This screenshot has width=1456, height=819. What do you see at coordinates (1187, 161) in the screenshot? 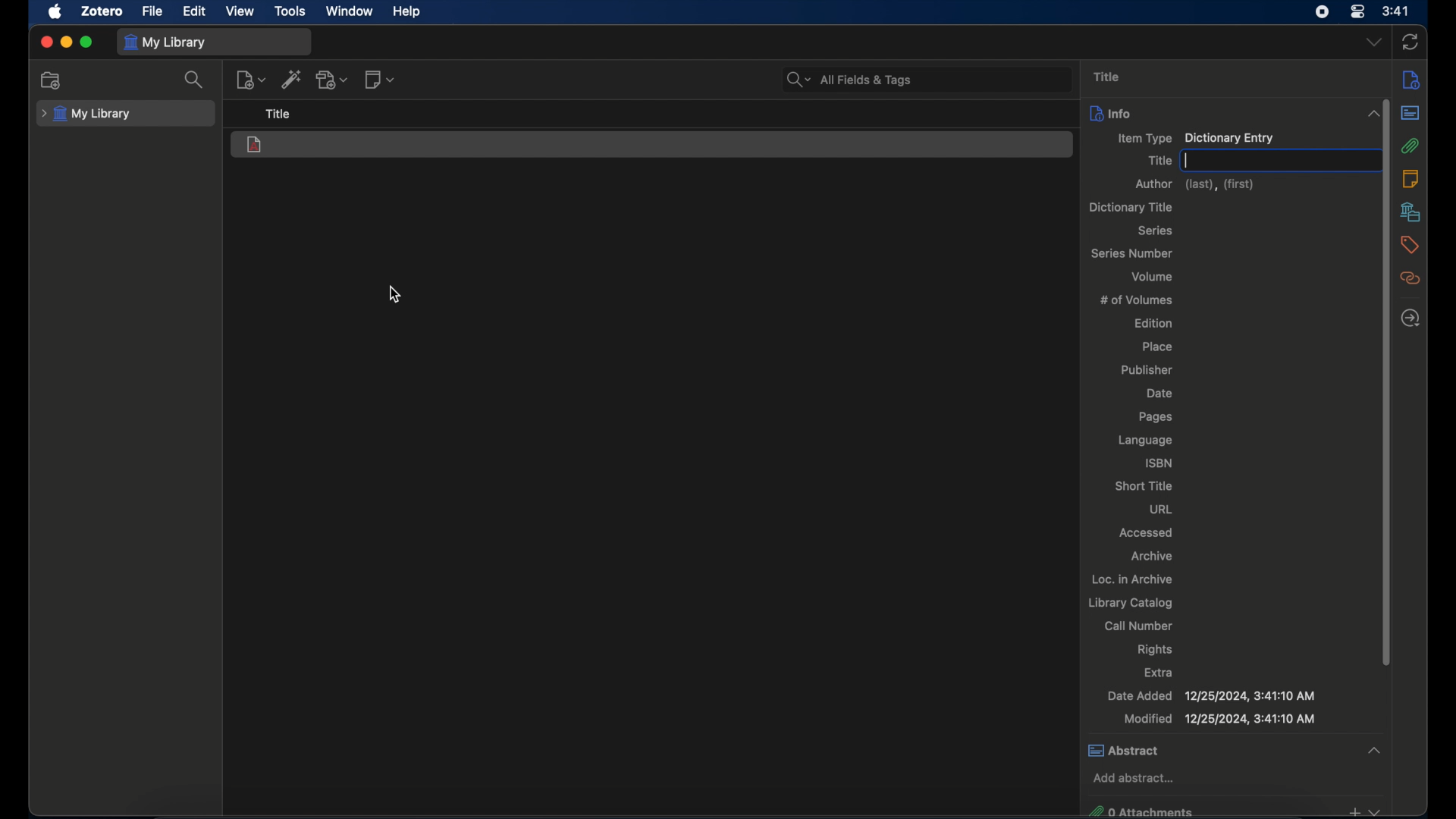
I see `text cursor` at bounding box center [1187, 161].